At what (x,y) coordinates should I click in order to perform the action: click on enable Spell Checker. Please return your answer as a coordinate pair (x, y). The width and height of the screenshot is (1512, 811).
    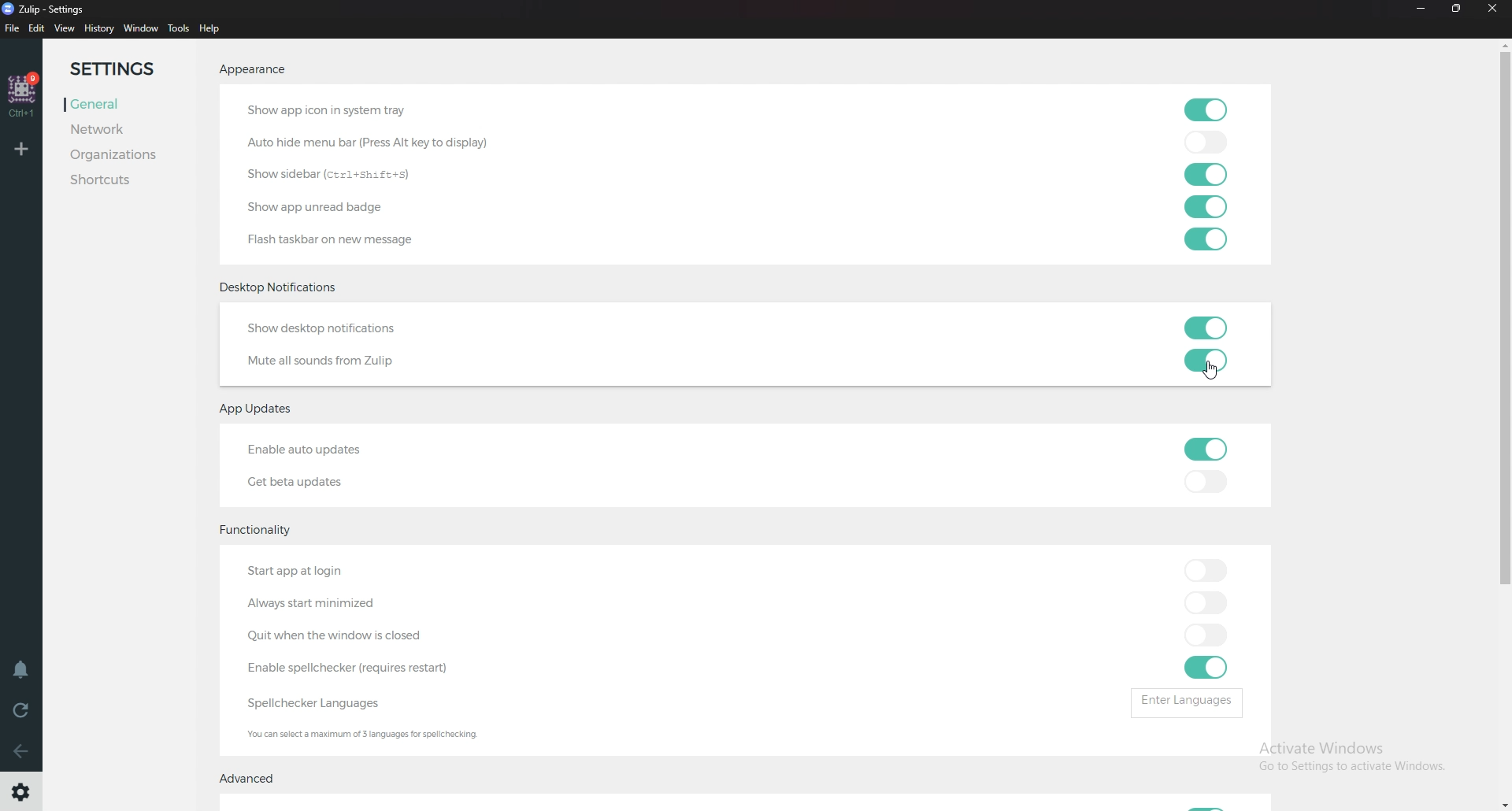
    Looking at the image, I should click on (358, 668).